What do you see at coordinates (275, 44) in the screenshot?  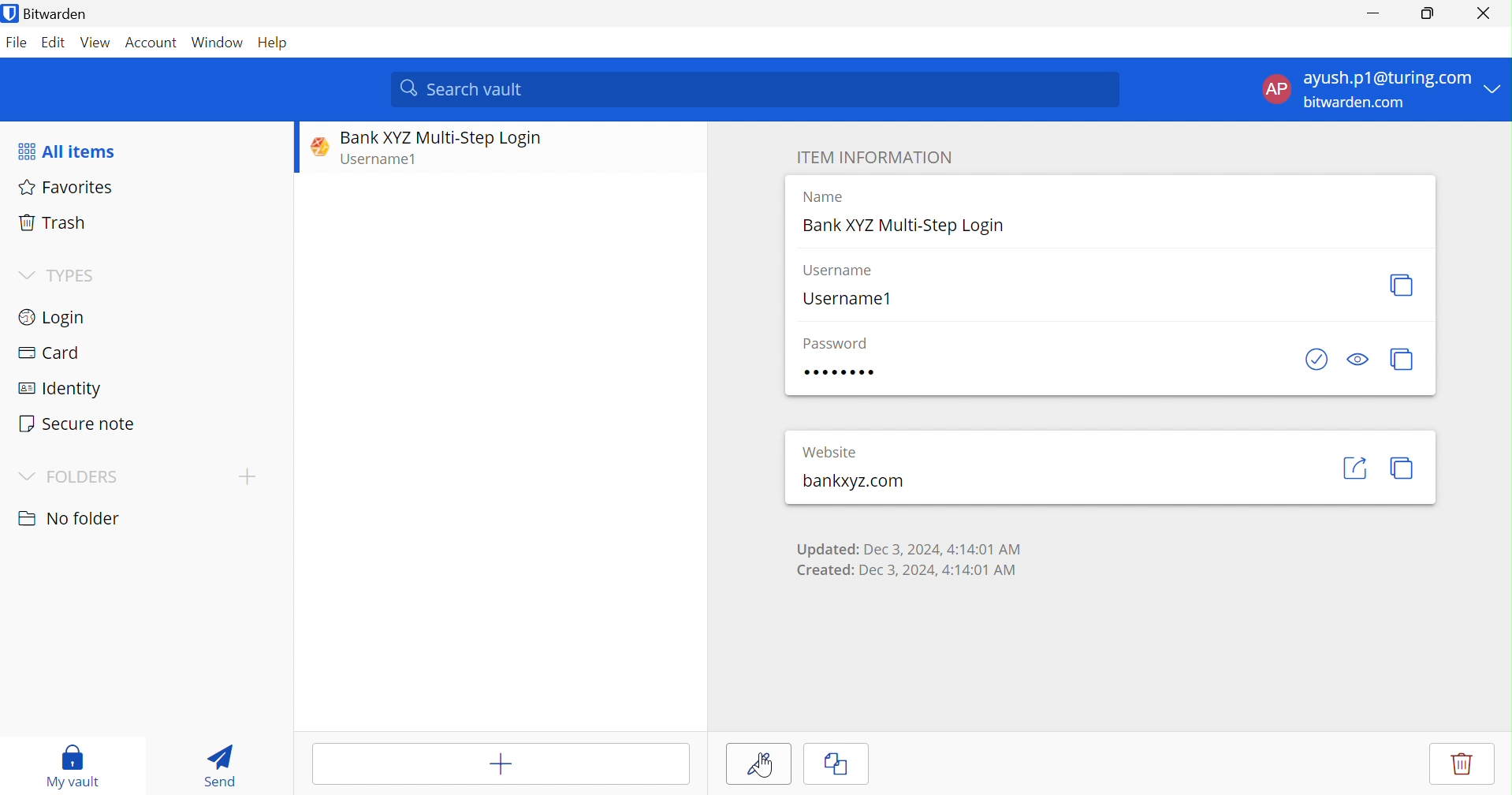 I see `Help` at bounding box center [275, 44].